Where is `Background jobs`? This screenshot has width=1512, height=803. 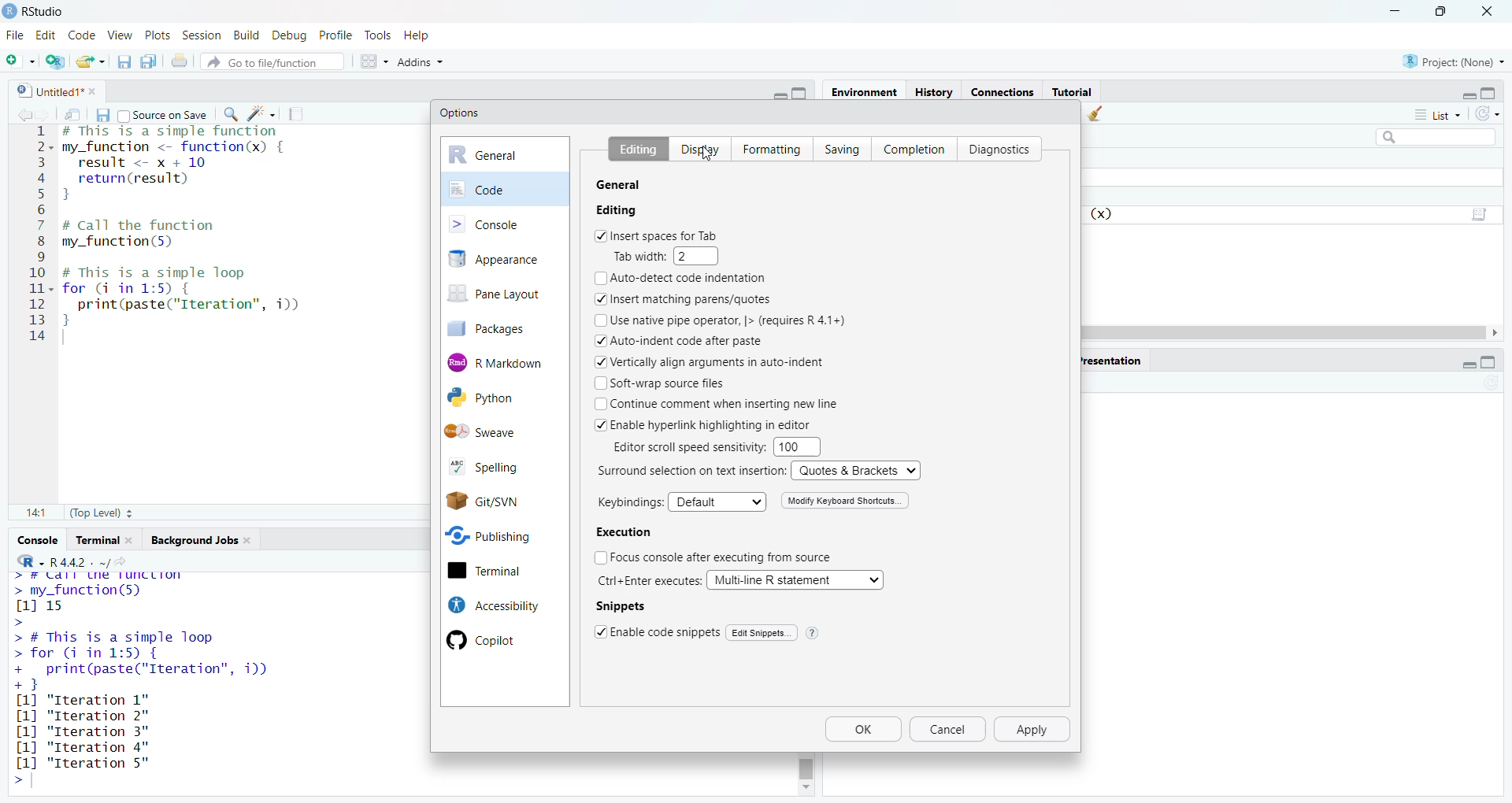 Background jobs is located at coordinates (194, 540).